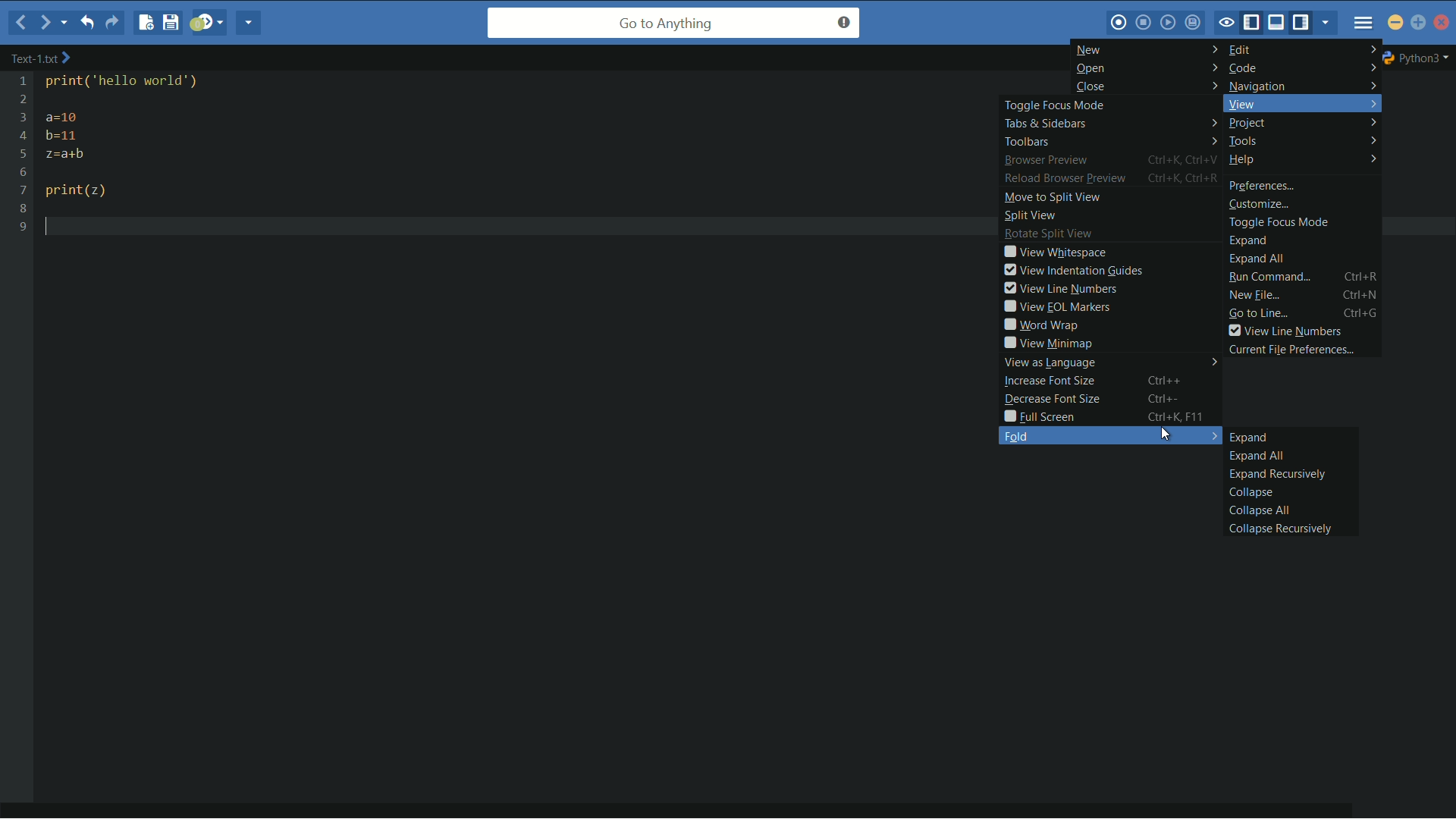 This screenshot has width=1456, height=819. Describe the element at coordinates (1304, 161) in the screenshot. I see `help` at that location.